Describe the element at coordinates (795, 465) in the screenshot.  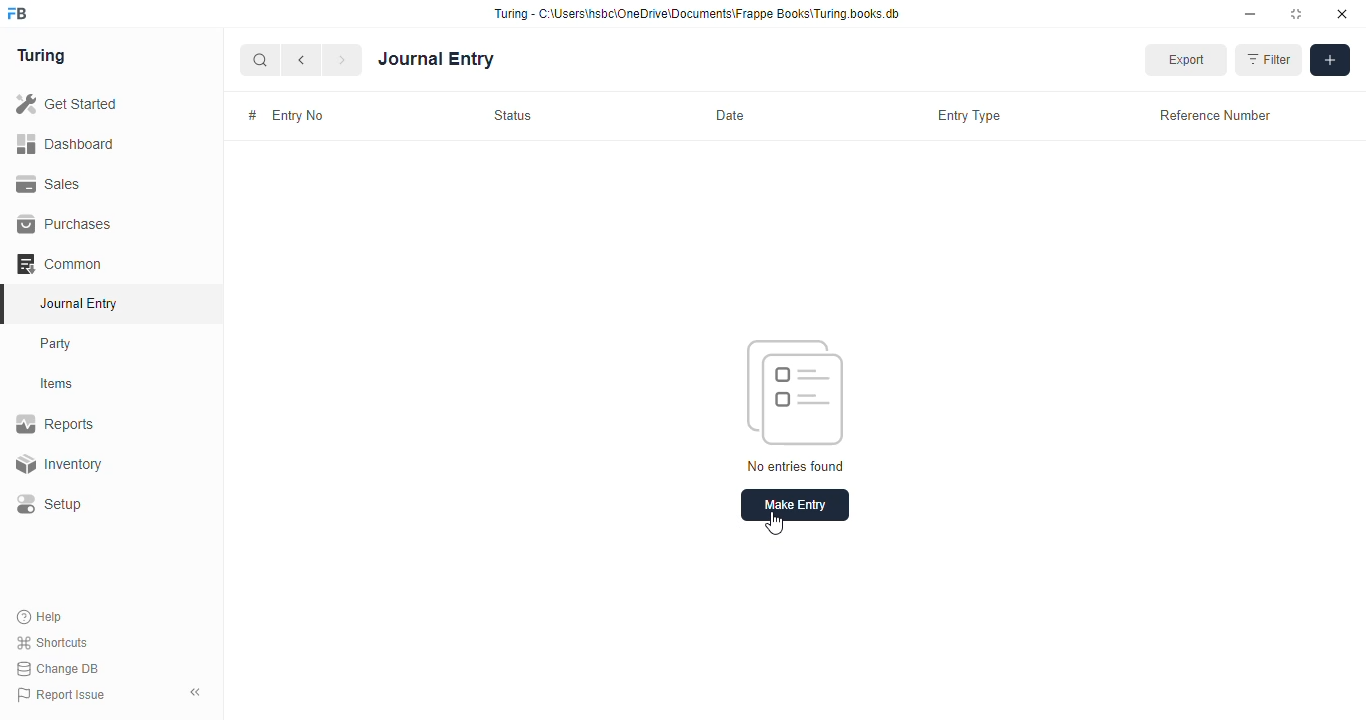
I see `no entries found` at that location.